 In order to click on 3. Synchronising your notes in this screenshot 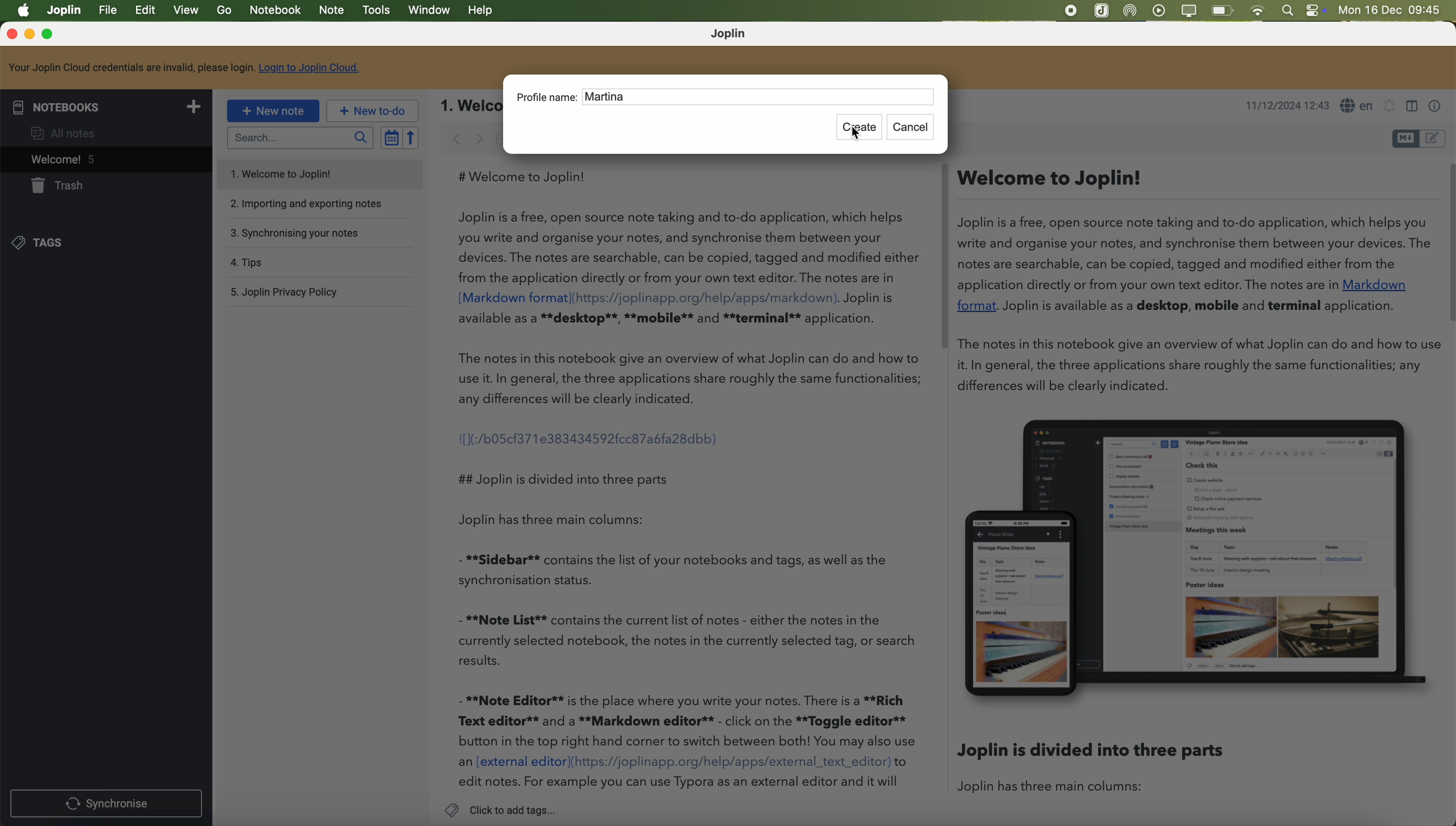, I will do `click(297, 233)`.